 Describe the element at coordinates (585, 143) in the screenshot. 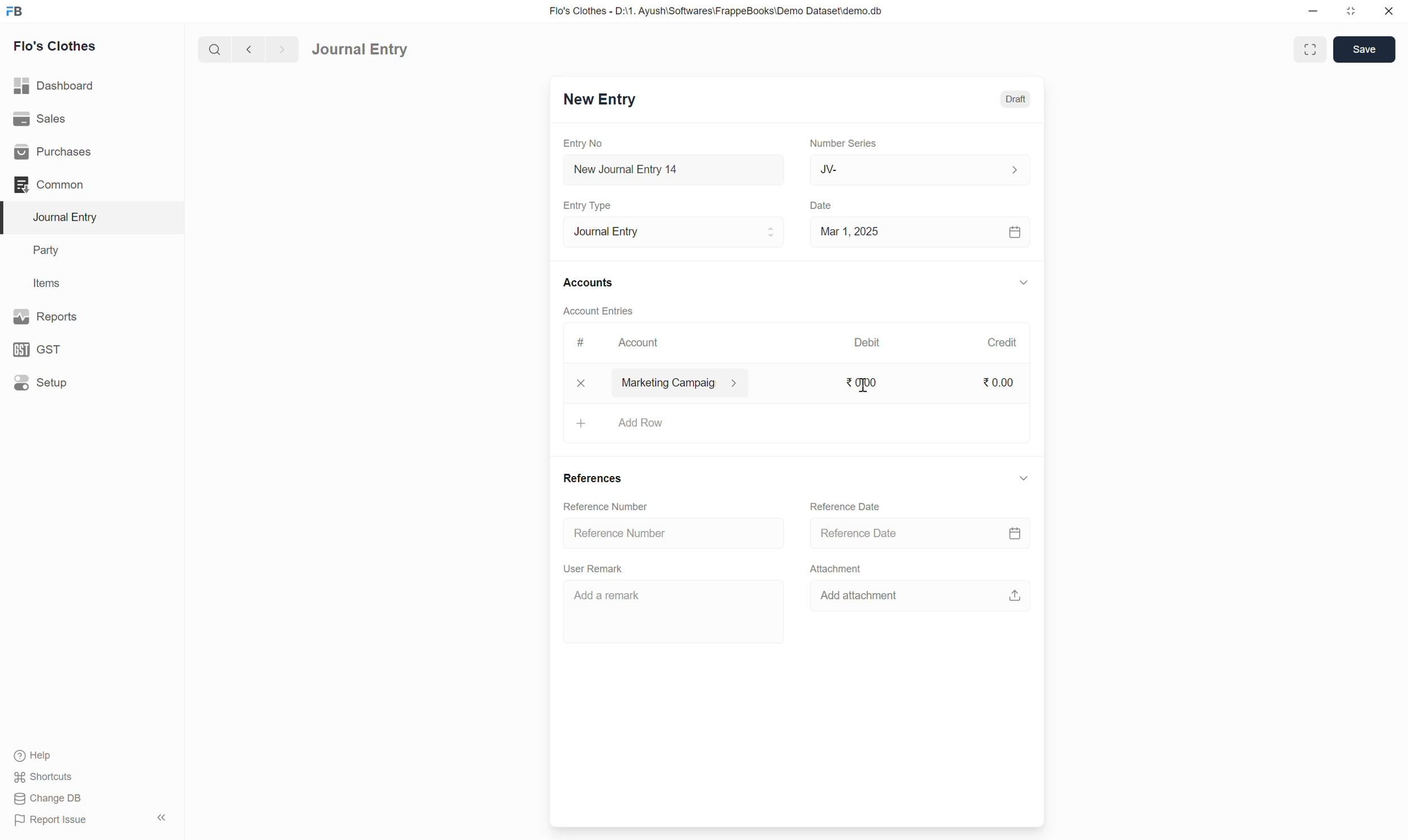

I see `Entry No` at that location.